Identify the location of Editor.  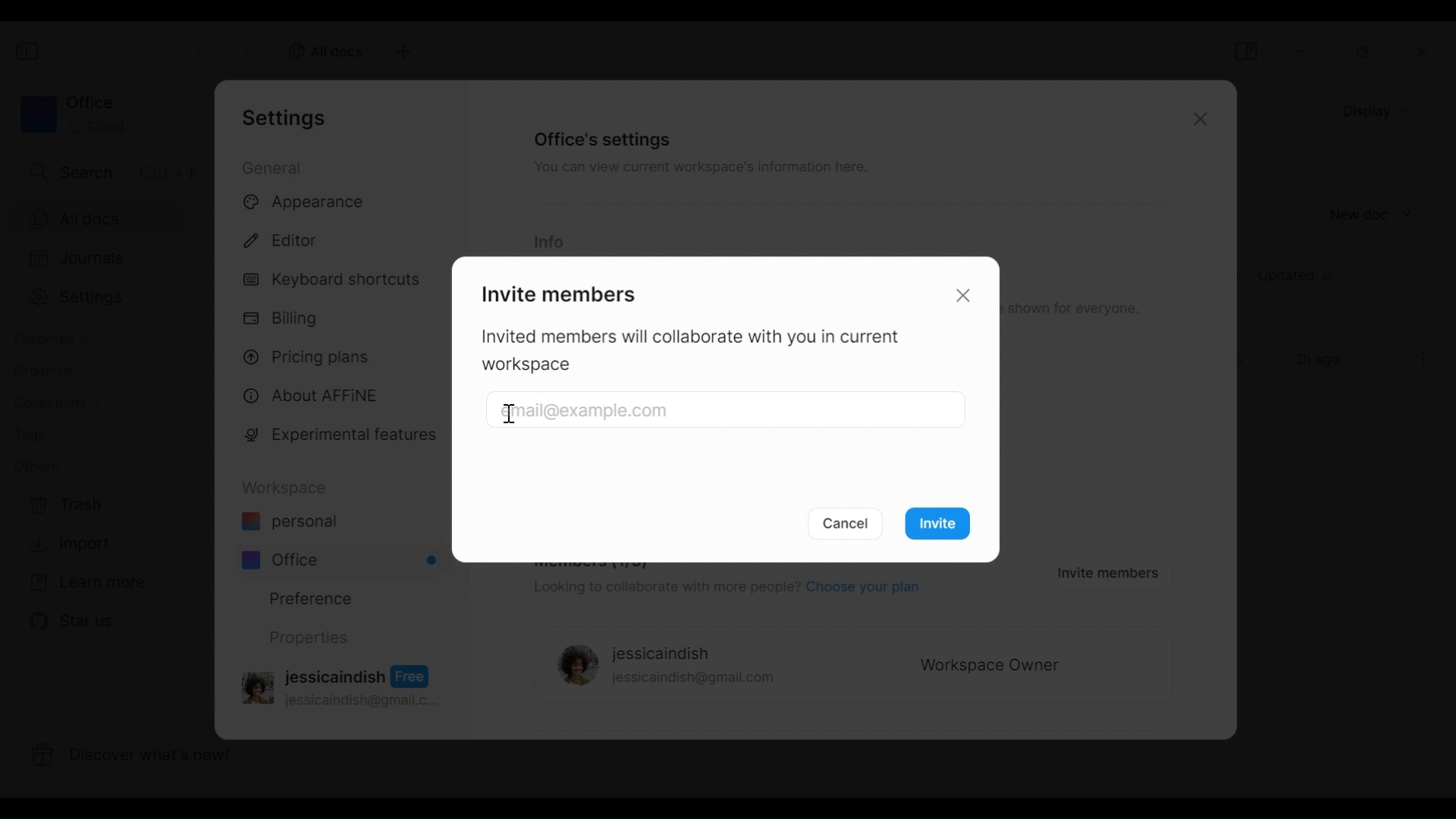
(287, 238).